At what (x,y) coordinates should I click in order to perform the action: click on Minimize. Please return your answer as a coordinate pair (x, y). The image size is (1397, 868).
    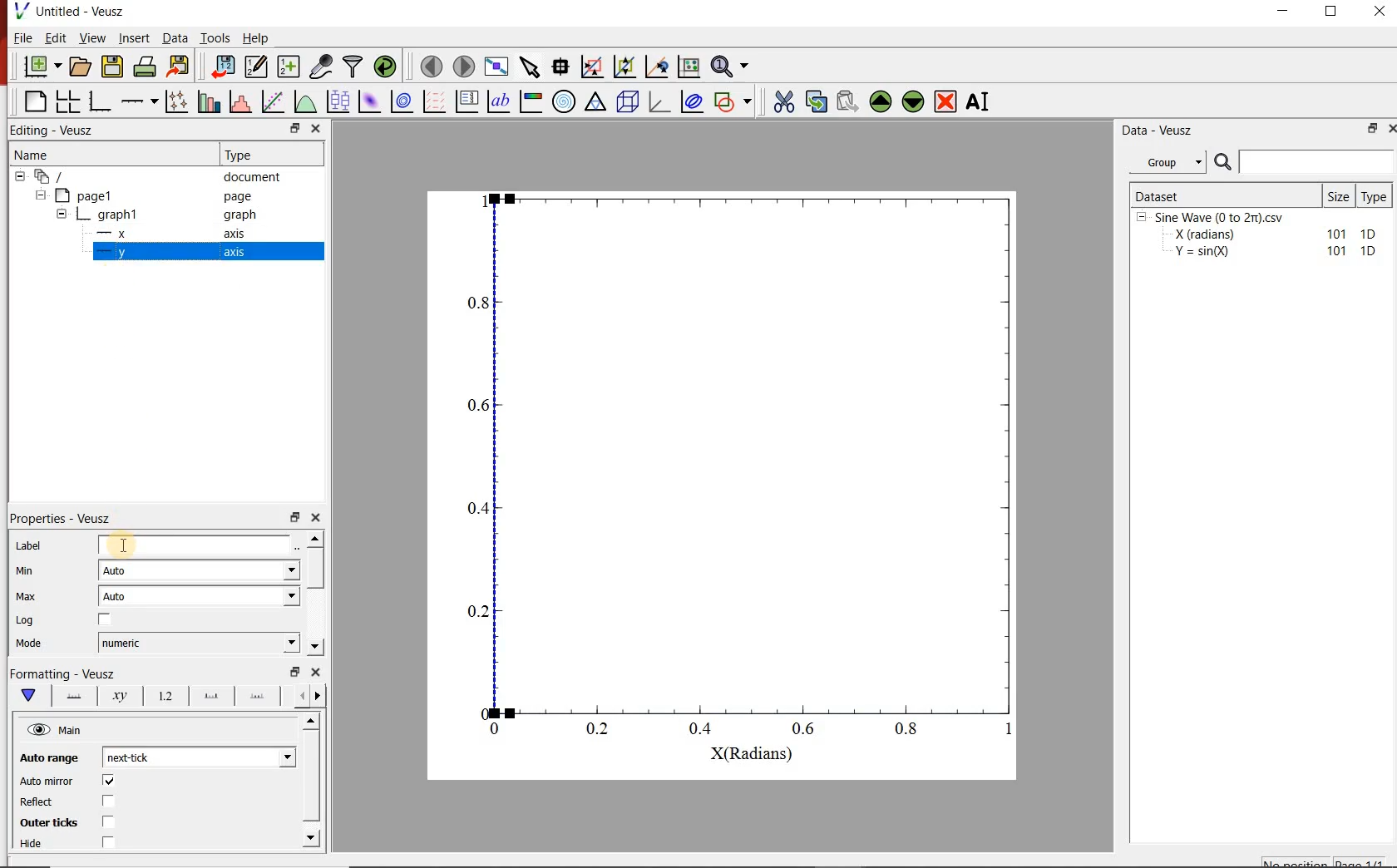
    Looking at the image, I should click on (1282, 12).